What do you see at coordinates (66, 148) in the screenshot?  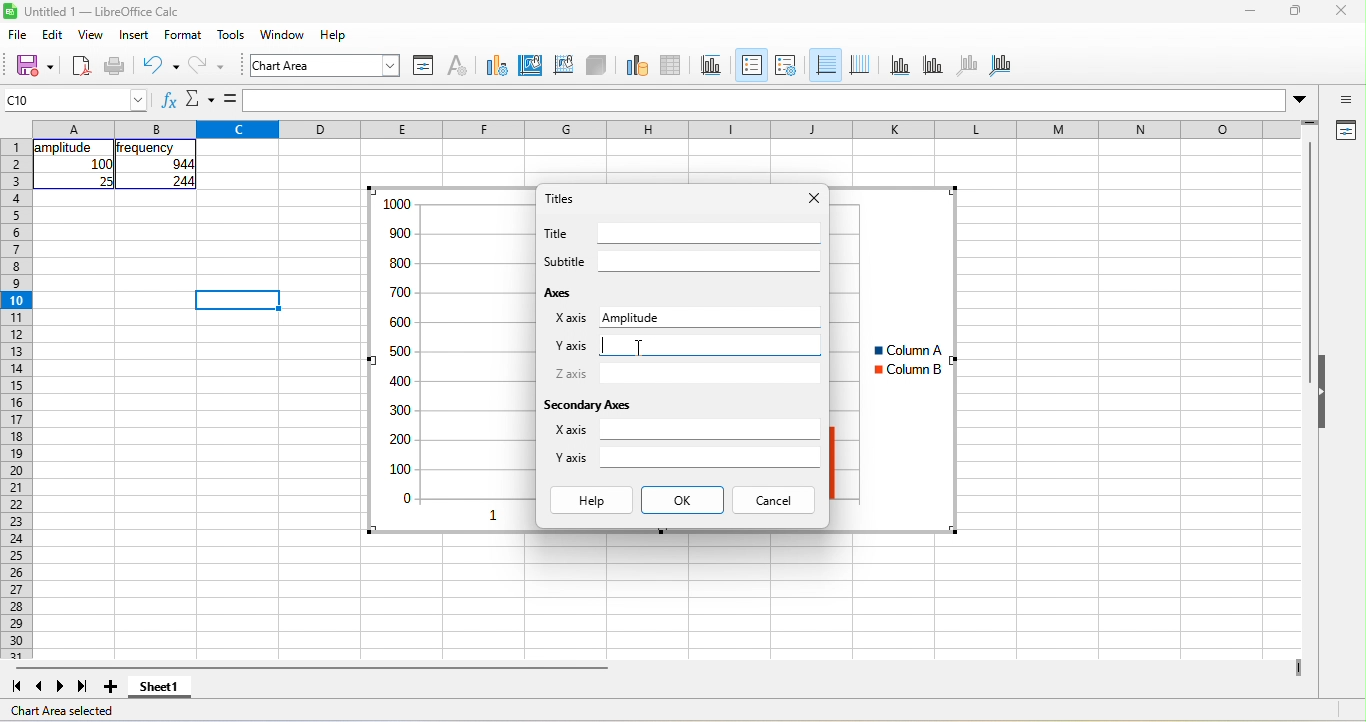 I see `amplitude` at bounding box center [66, 148].